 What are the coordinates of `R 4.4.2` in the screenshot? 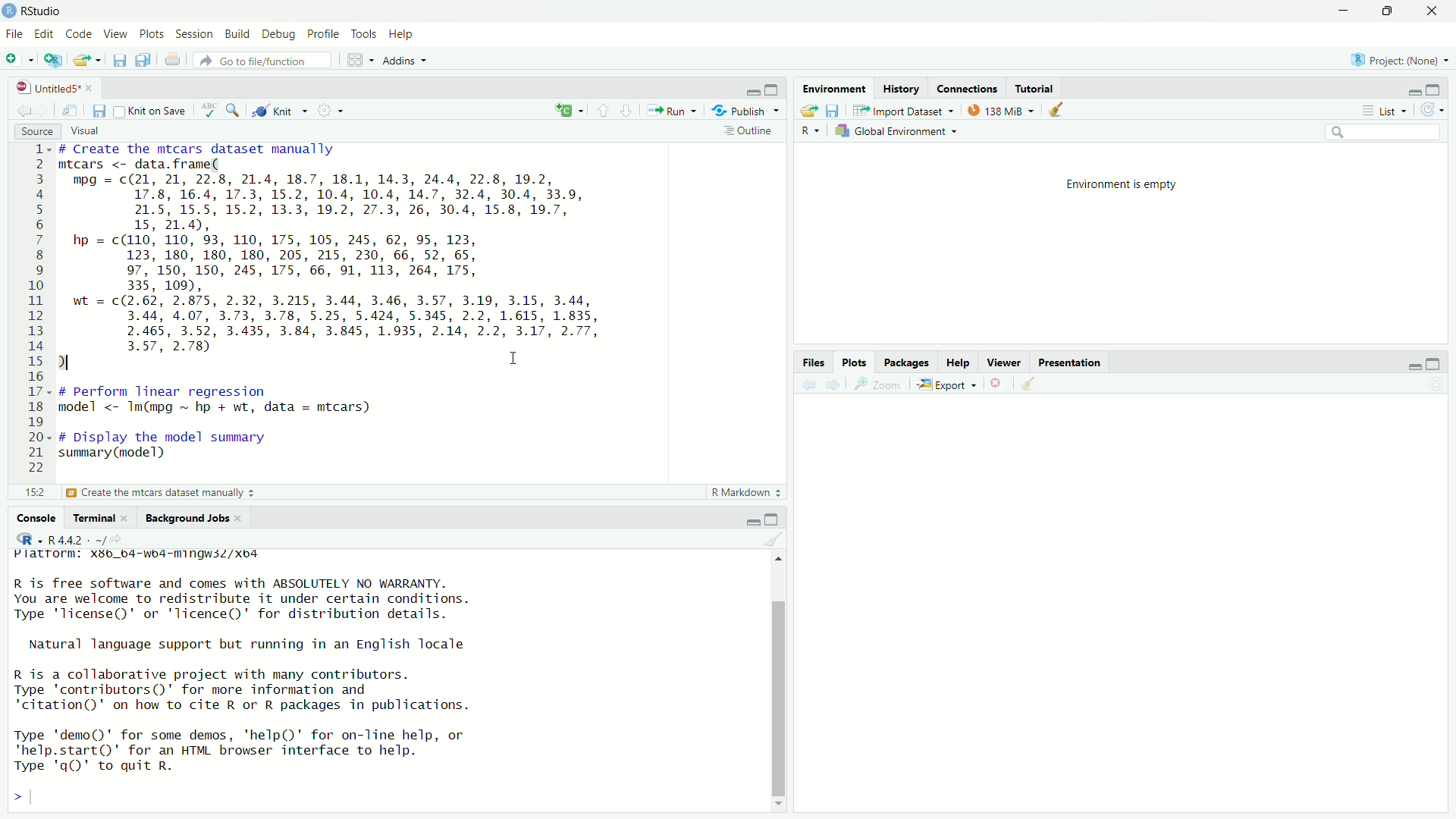 It's located at (58, 538).